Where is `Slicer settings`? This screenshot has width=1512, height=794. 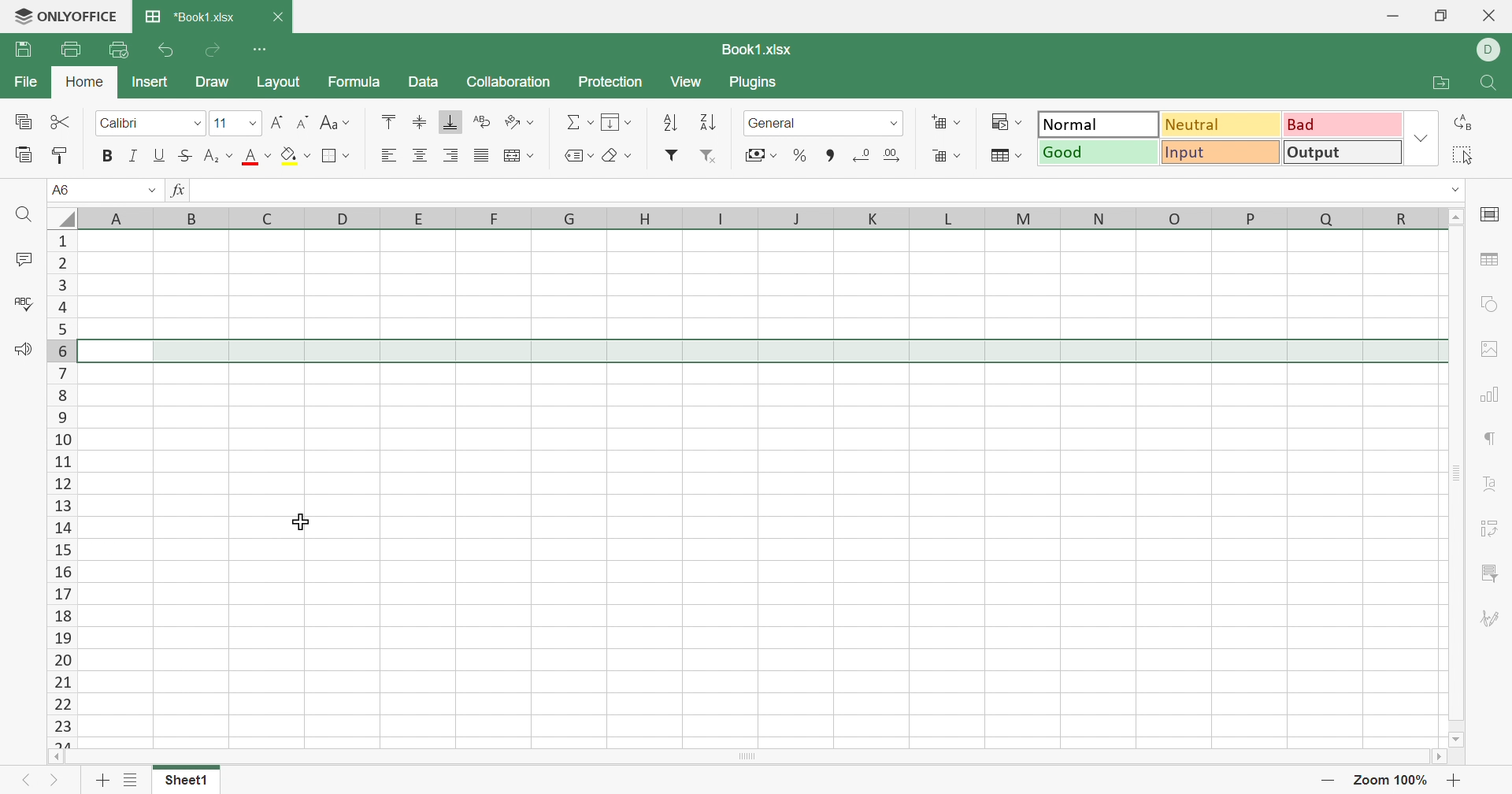 Slicer settings is located at coordinates (1488, 573).